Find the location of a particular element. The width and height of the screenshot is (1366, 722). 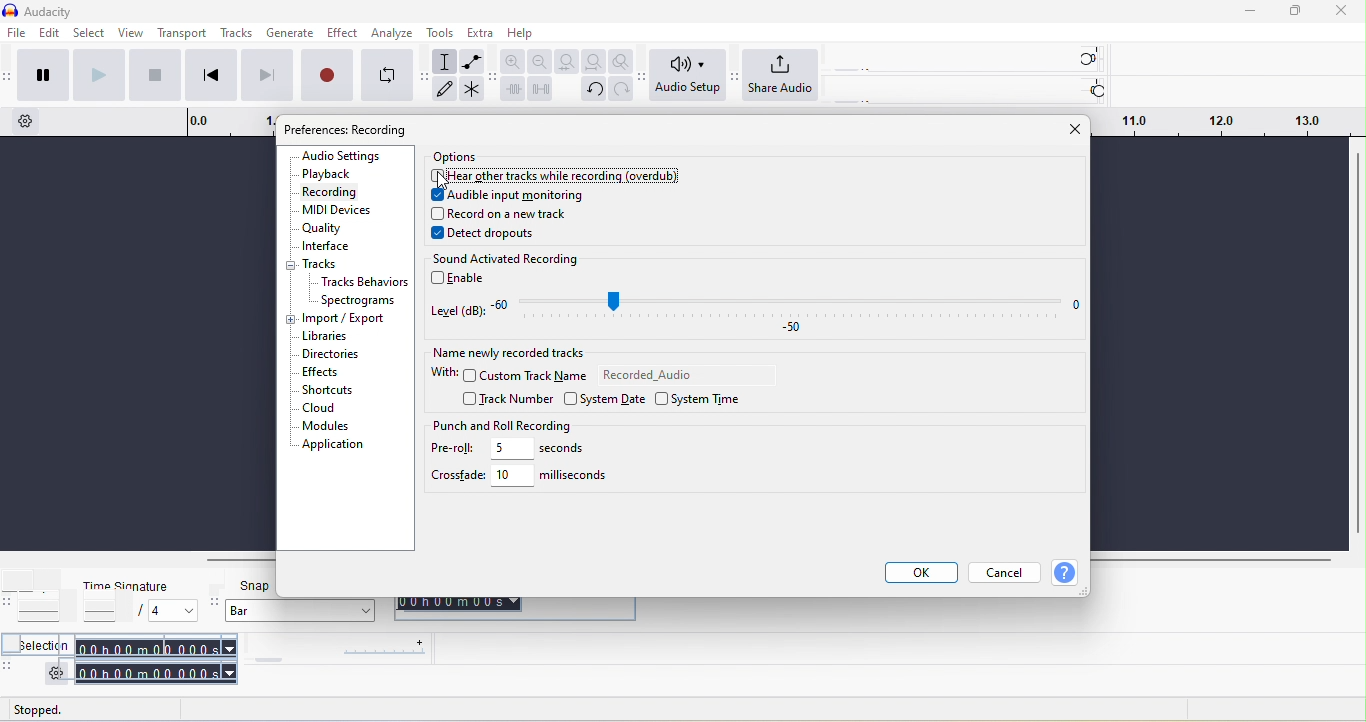

interface is located at coordinates (324, 247).